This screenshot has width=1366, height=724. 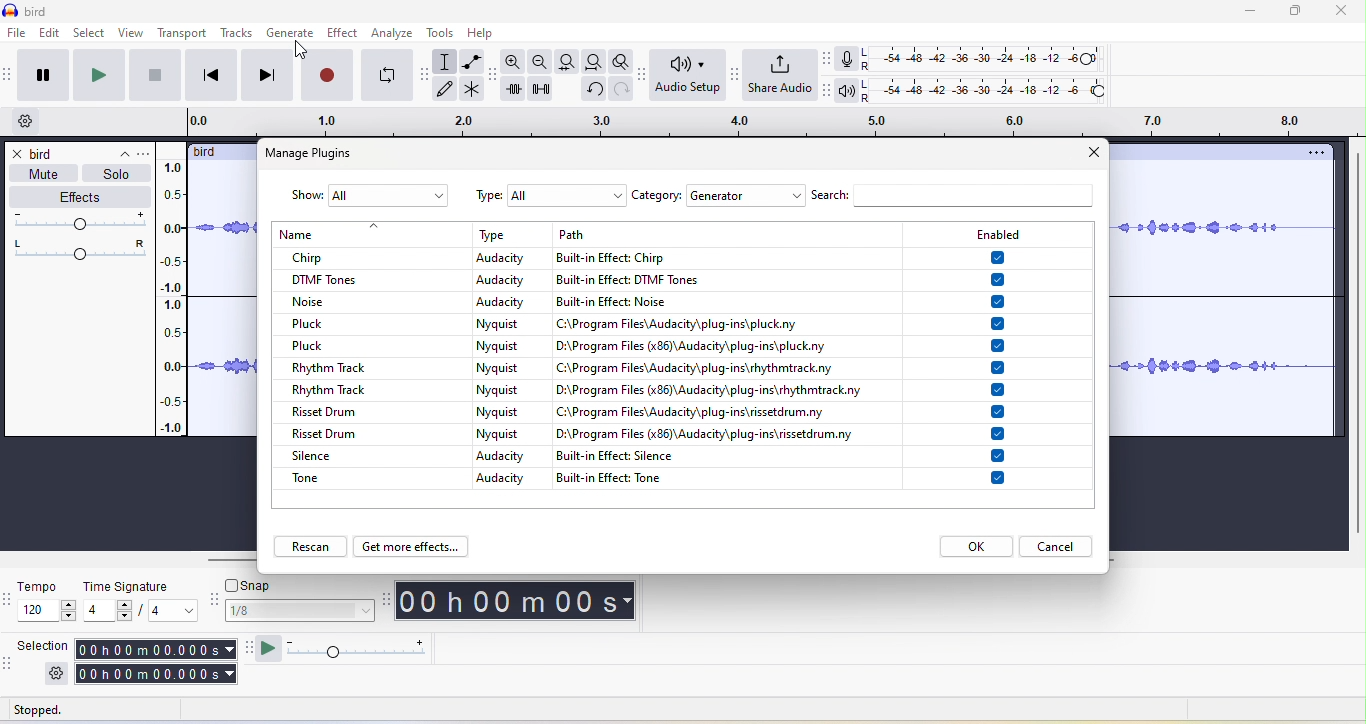 What do you see at coordinates (9, 664) in the screenshot?
I see `audacity selection toolbar` at bounding box center [9, 664].